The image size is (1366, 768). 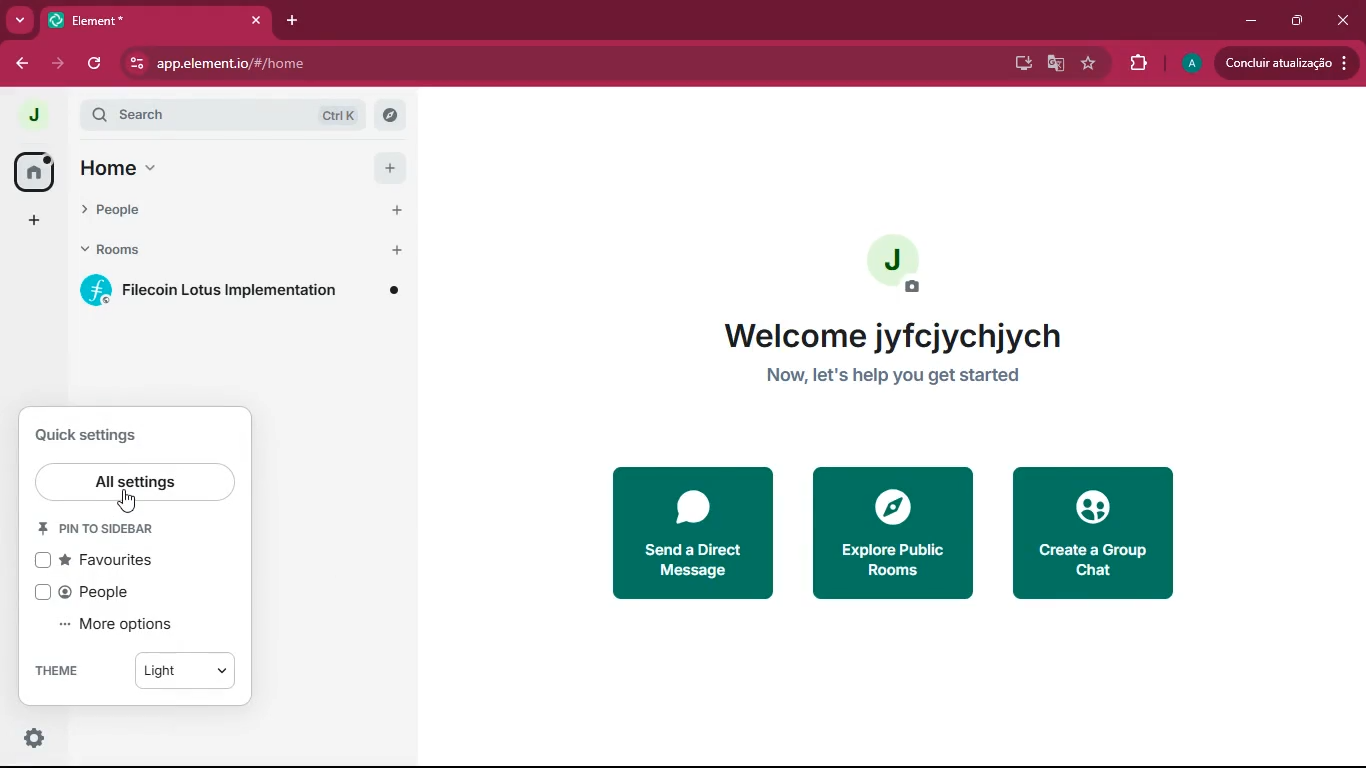 I want to click on explore, so click(x=890, y=534).